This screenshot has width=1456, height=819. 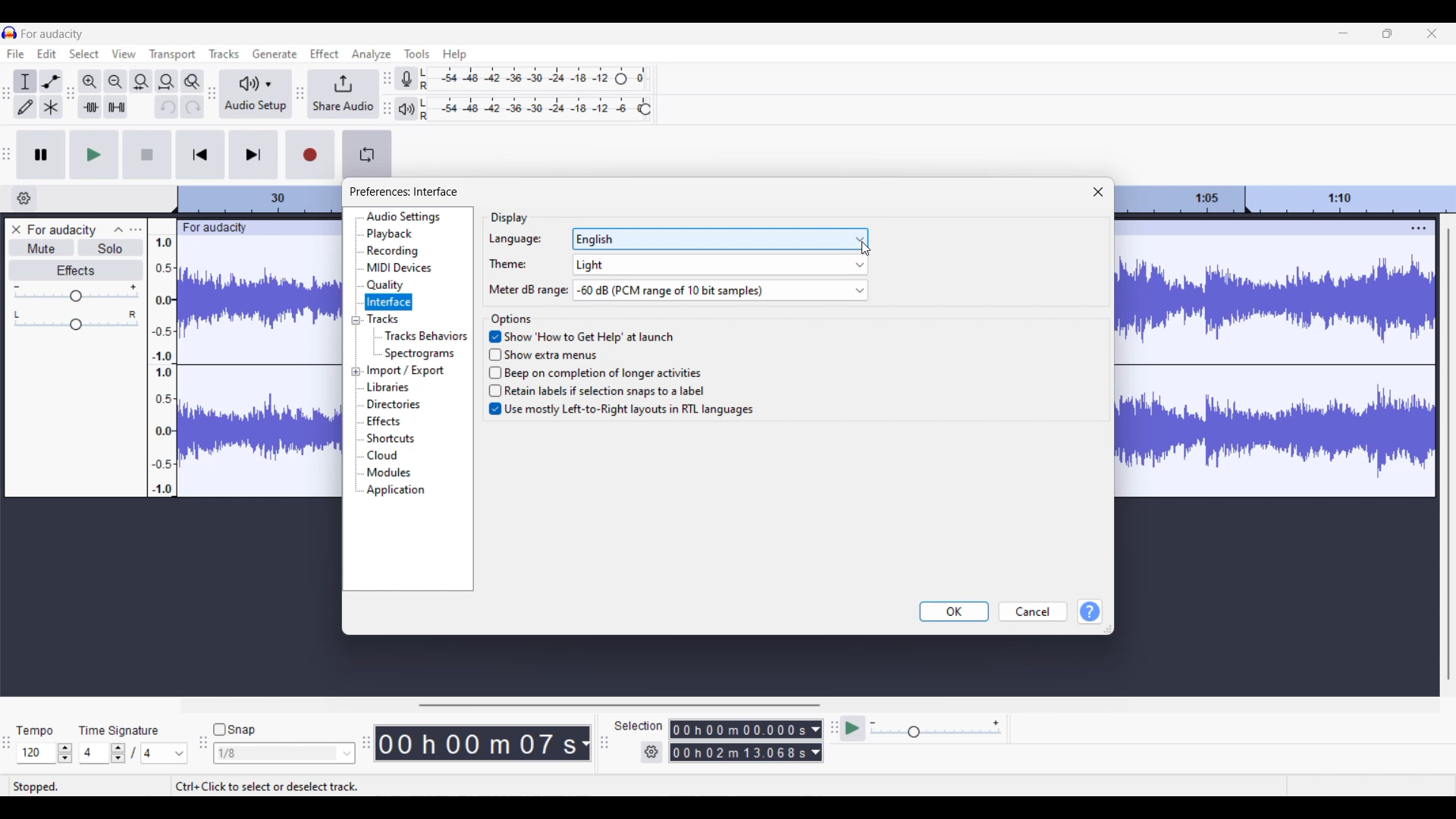 I want to click on Undo, so click(x=166, y=106).